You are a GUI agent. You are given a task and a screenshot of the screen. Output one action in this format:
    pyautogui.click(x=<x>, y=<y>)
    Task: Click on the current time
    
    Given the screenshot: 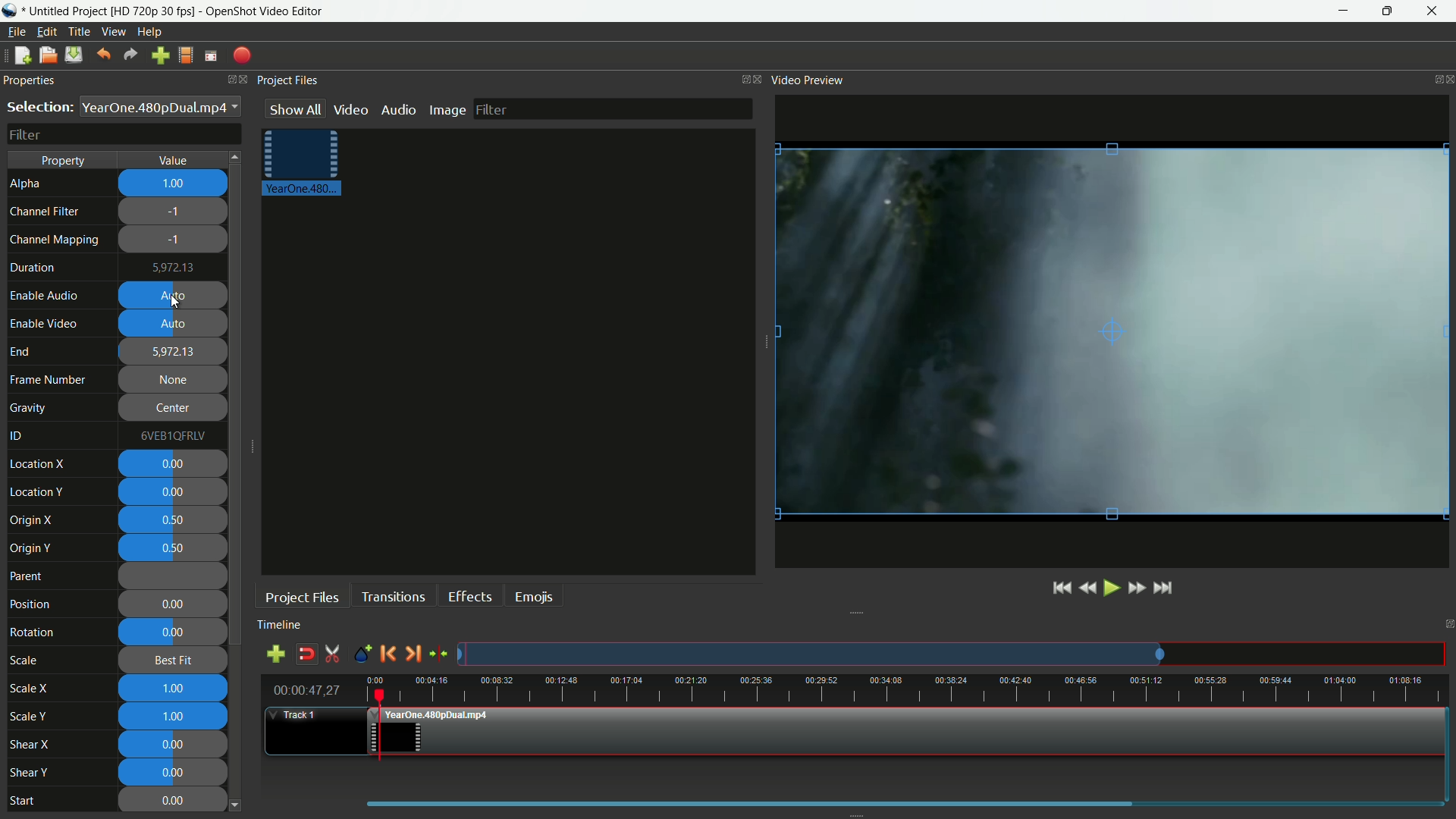 What is the action you would take?
    pyautogui.click(x=306, y=690)
    